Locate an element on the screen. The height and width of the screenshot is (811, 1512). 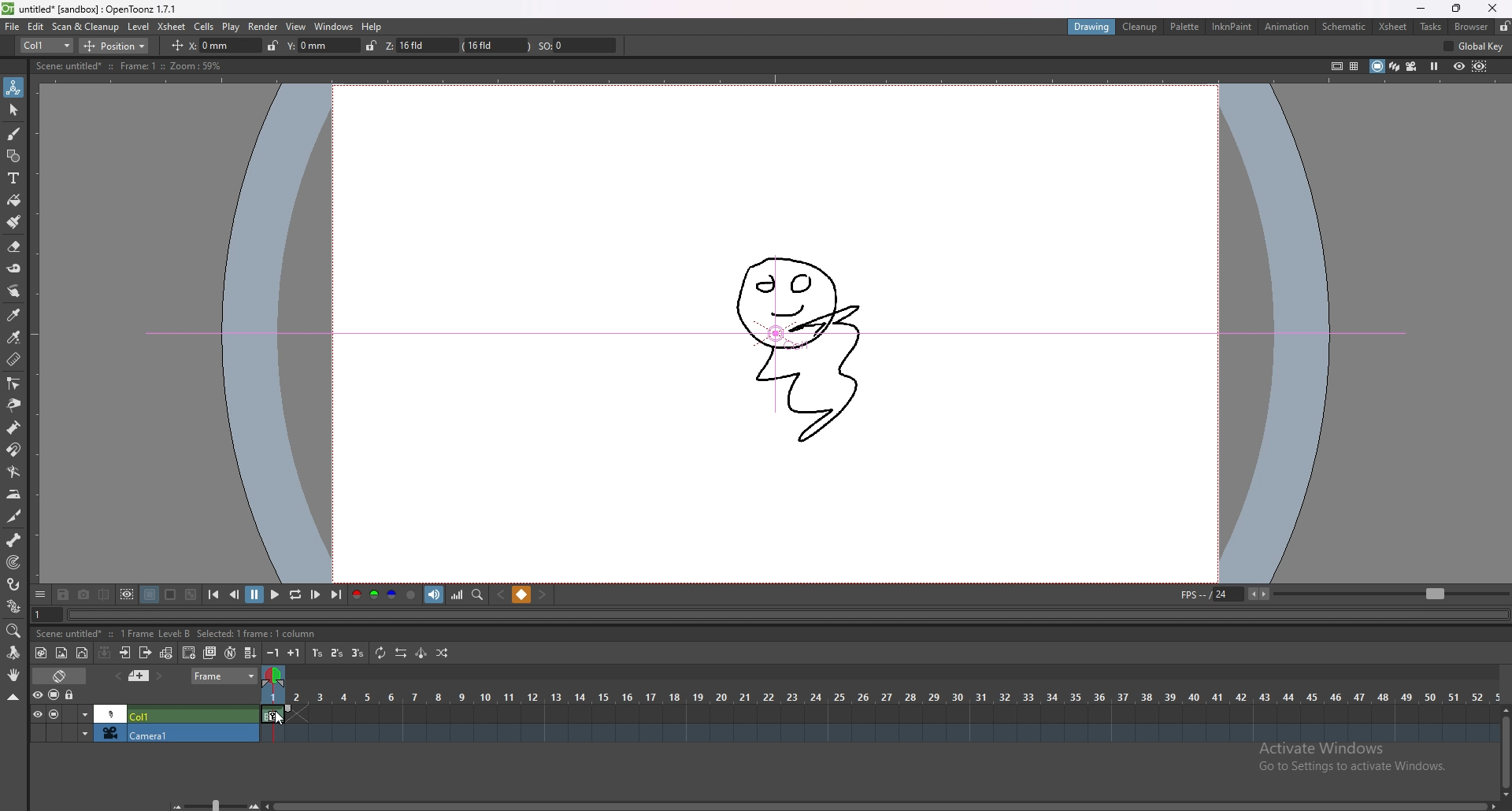
plastic is located at coordinates (14, 605).